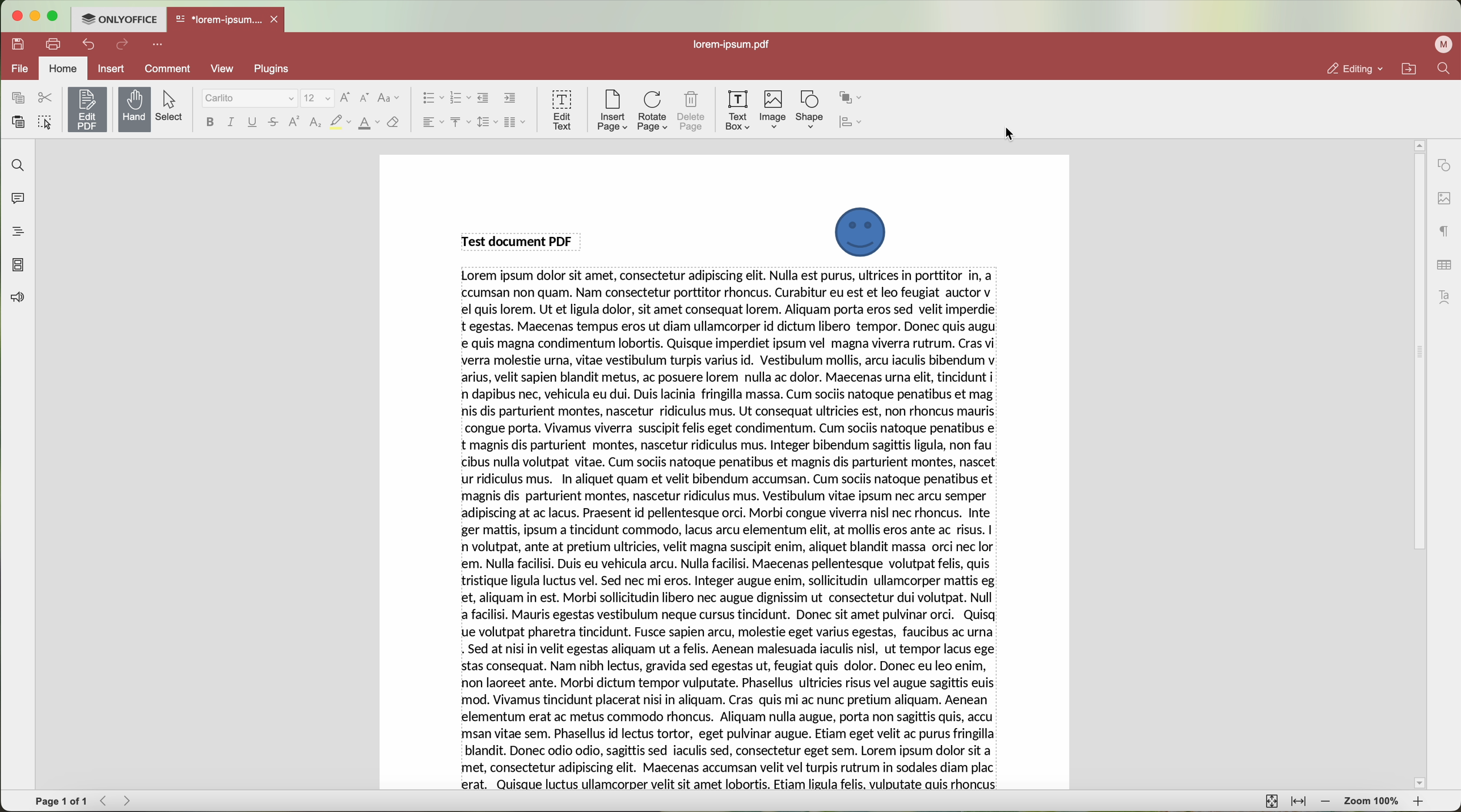  I want to click on select all, so click(47, 124).